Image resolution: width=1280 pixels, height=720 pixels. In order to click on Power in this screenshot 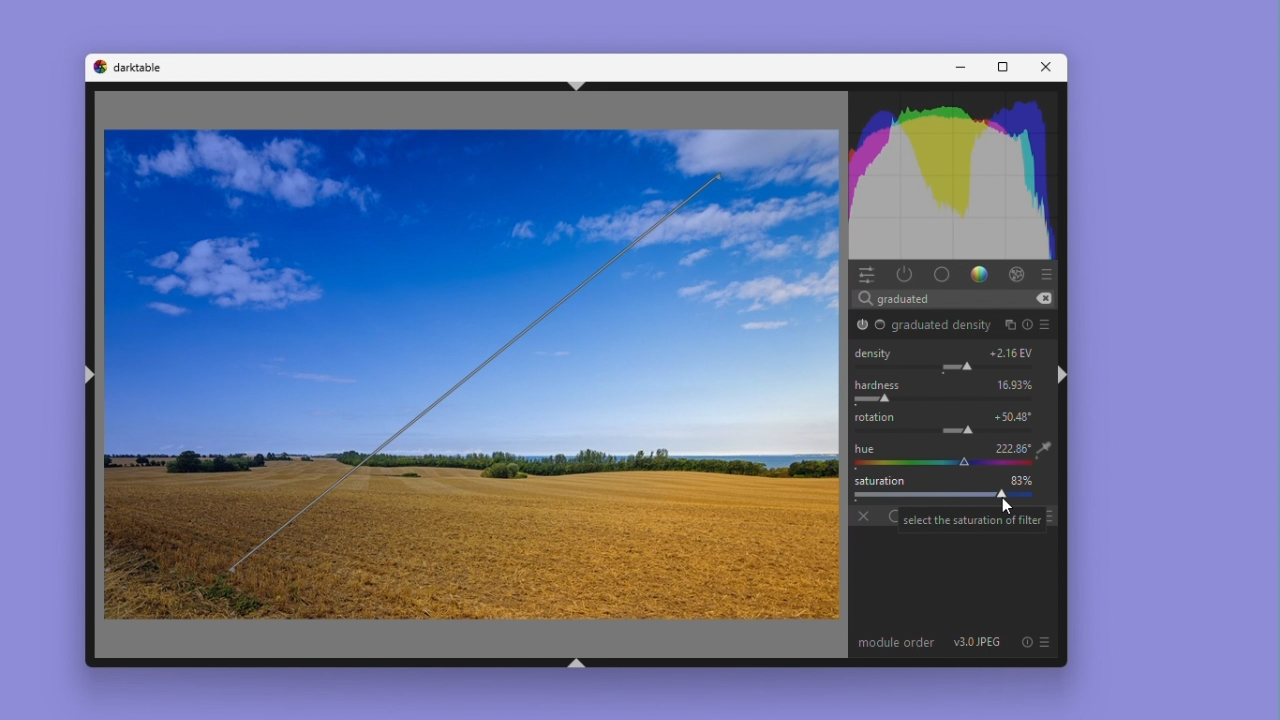, I will do `click(905, 273)`.